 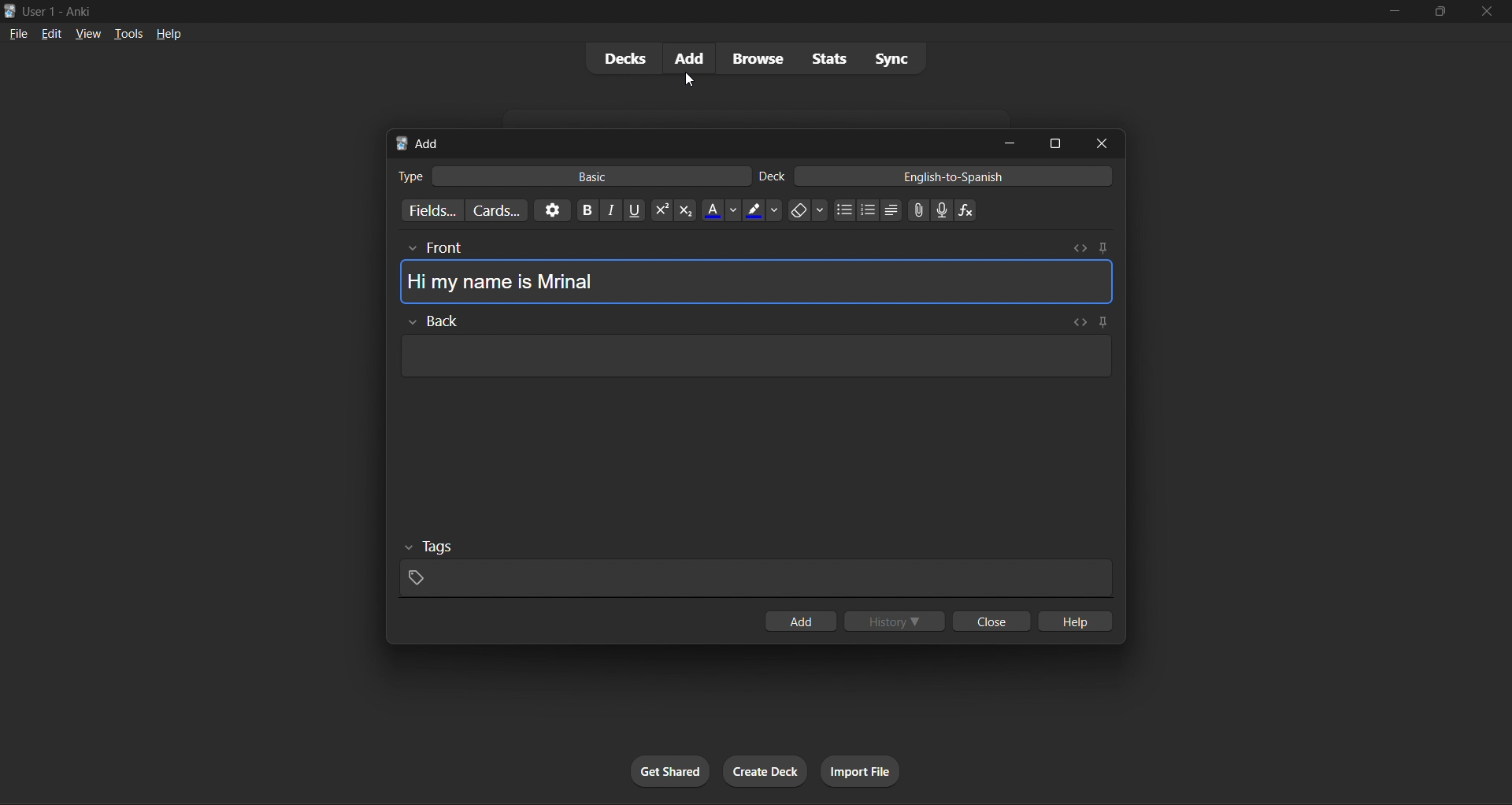 I want to click on help, so click(x=165, y=31).